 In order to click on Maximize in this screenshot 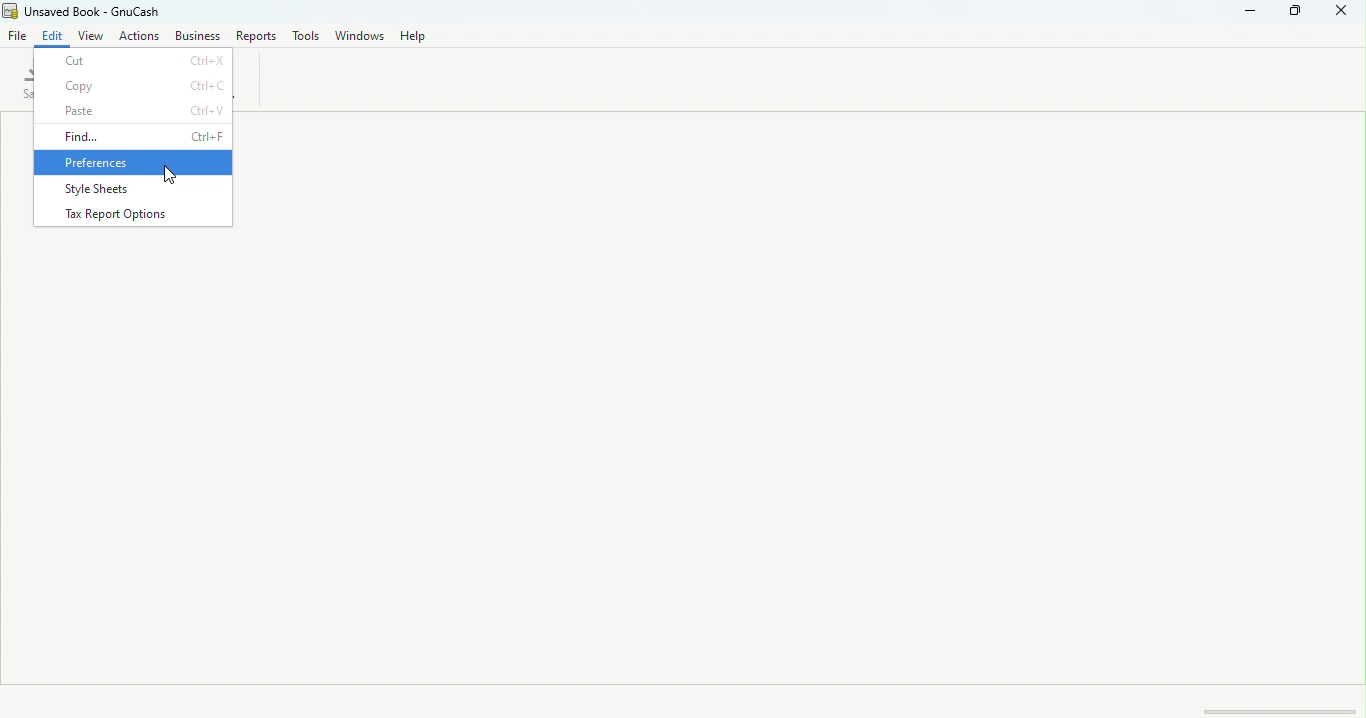, I will do `click(1297, 15)`.